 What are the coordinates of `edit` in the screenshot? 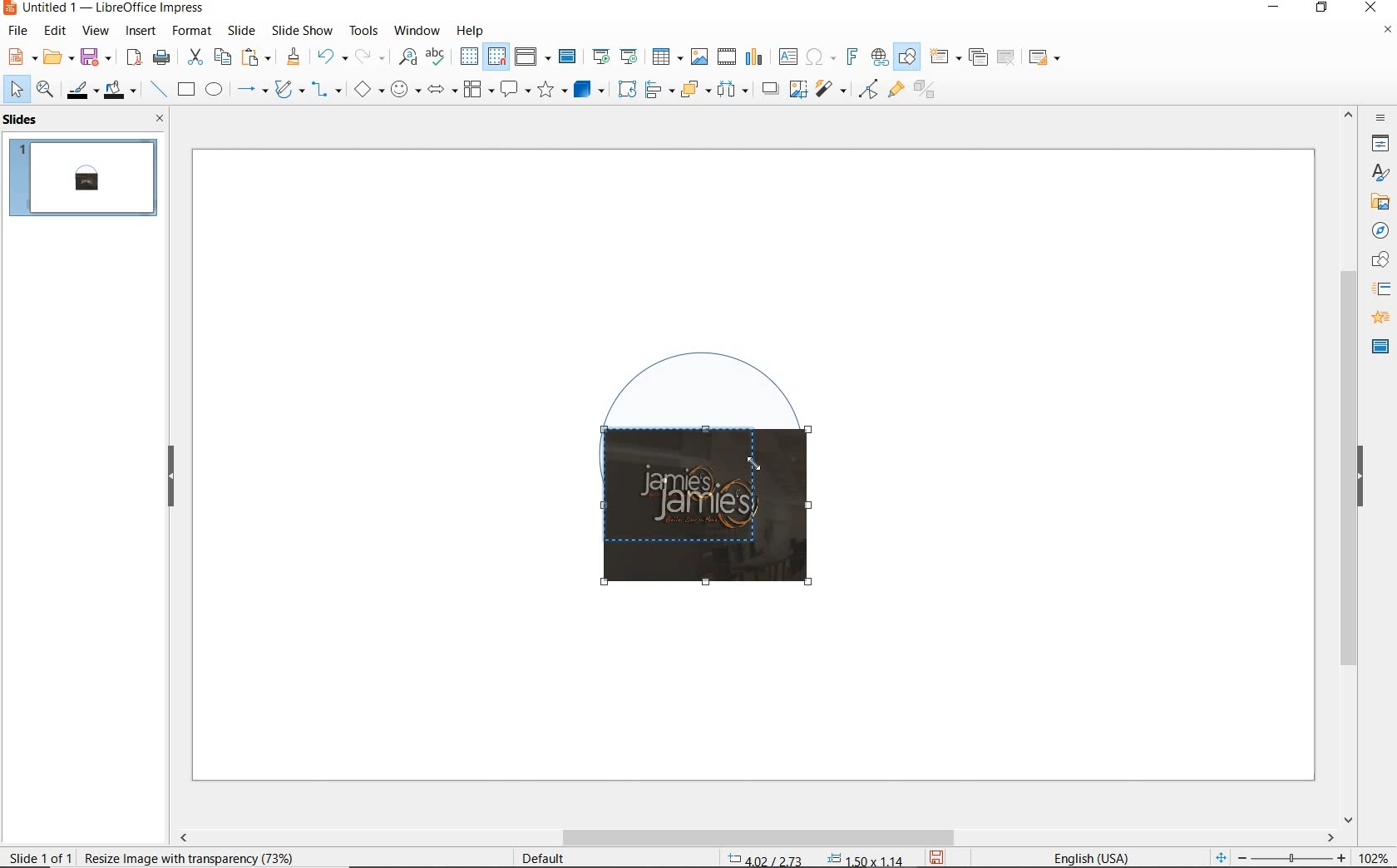 It's located at (56, 31).